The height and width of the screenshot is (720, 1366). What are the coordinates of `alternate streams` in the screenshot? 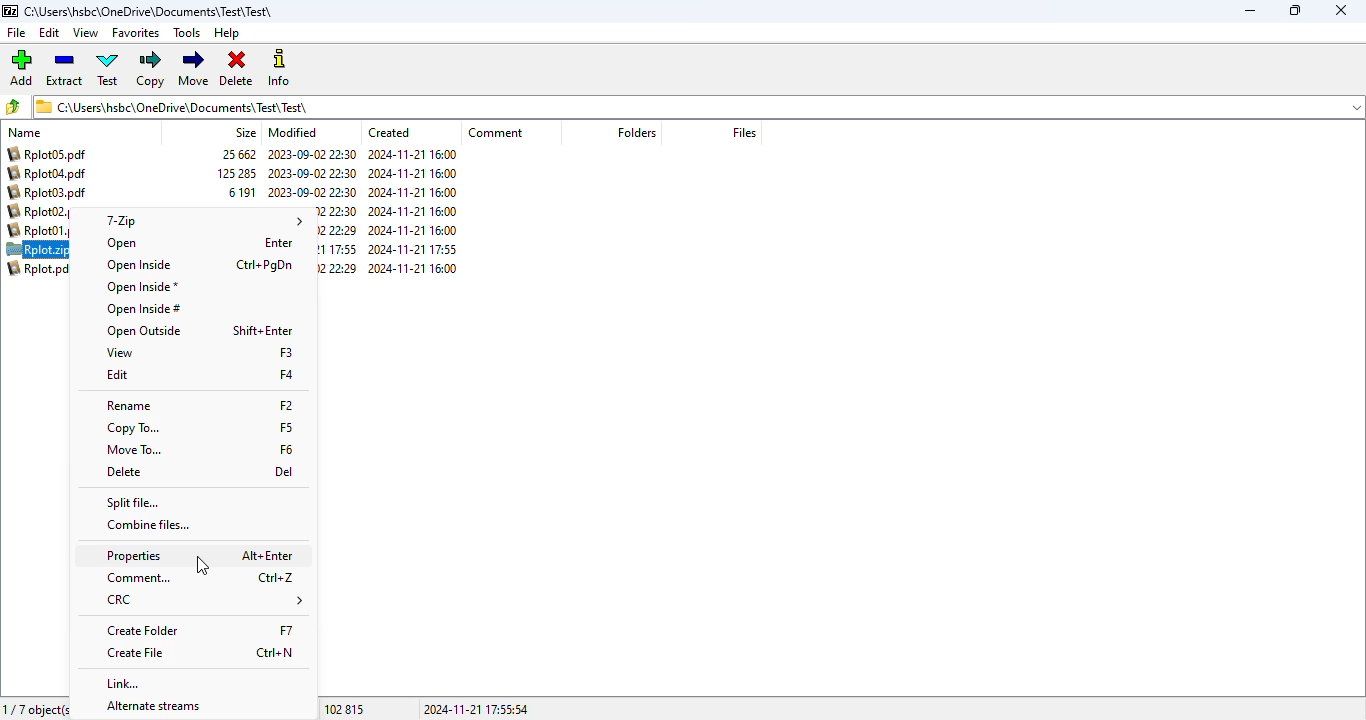 It's located at (153, 707).